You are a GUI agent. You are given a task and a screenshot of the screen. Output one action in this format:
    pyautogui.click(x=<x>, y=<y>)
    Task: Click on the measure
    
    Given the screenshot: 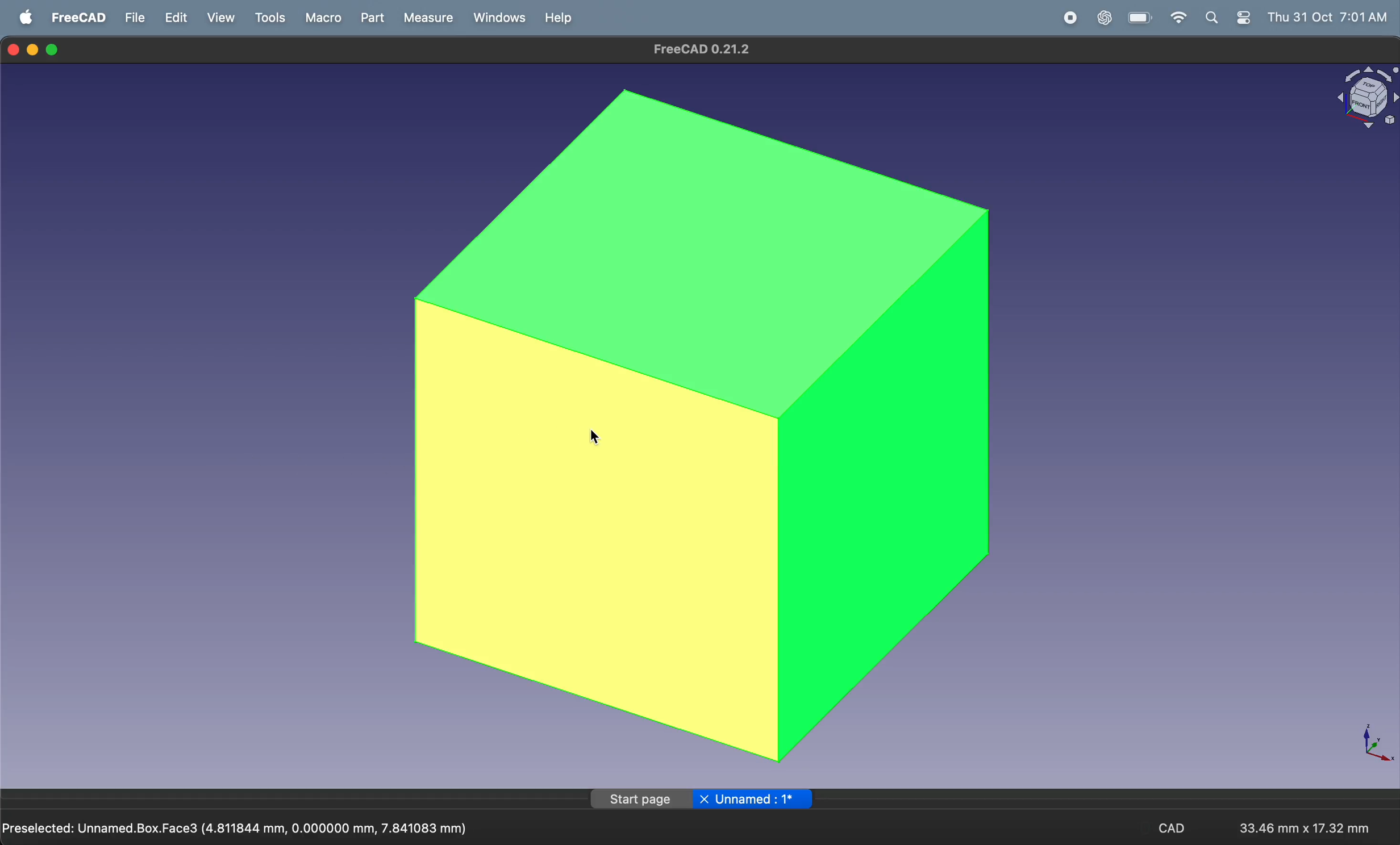 What is the action you would take?
    pyautogui.click(x=427, y=19)
    